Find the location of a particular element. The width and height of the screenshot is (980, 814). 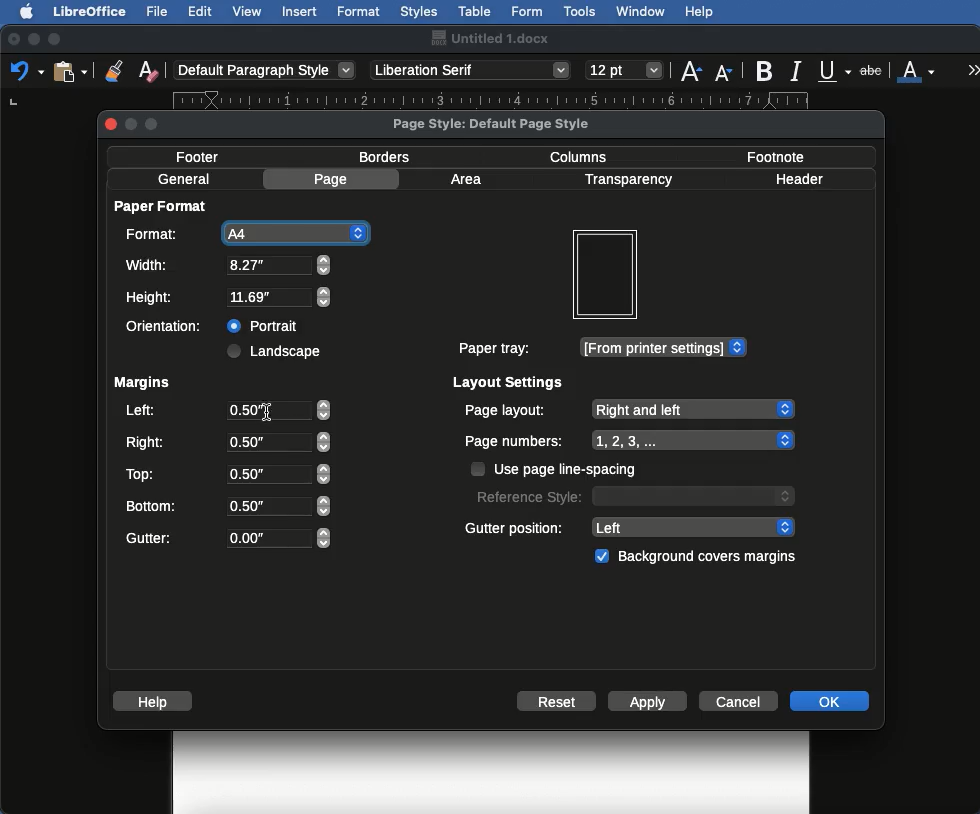

Size increase is located at coordinates (690, 69).